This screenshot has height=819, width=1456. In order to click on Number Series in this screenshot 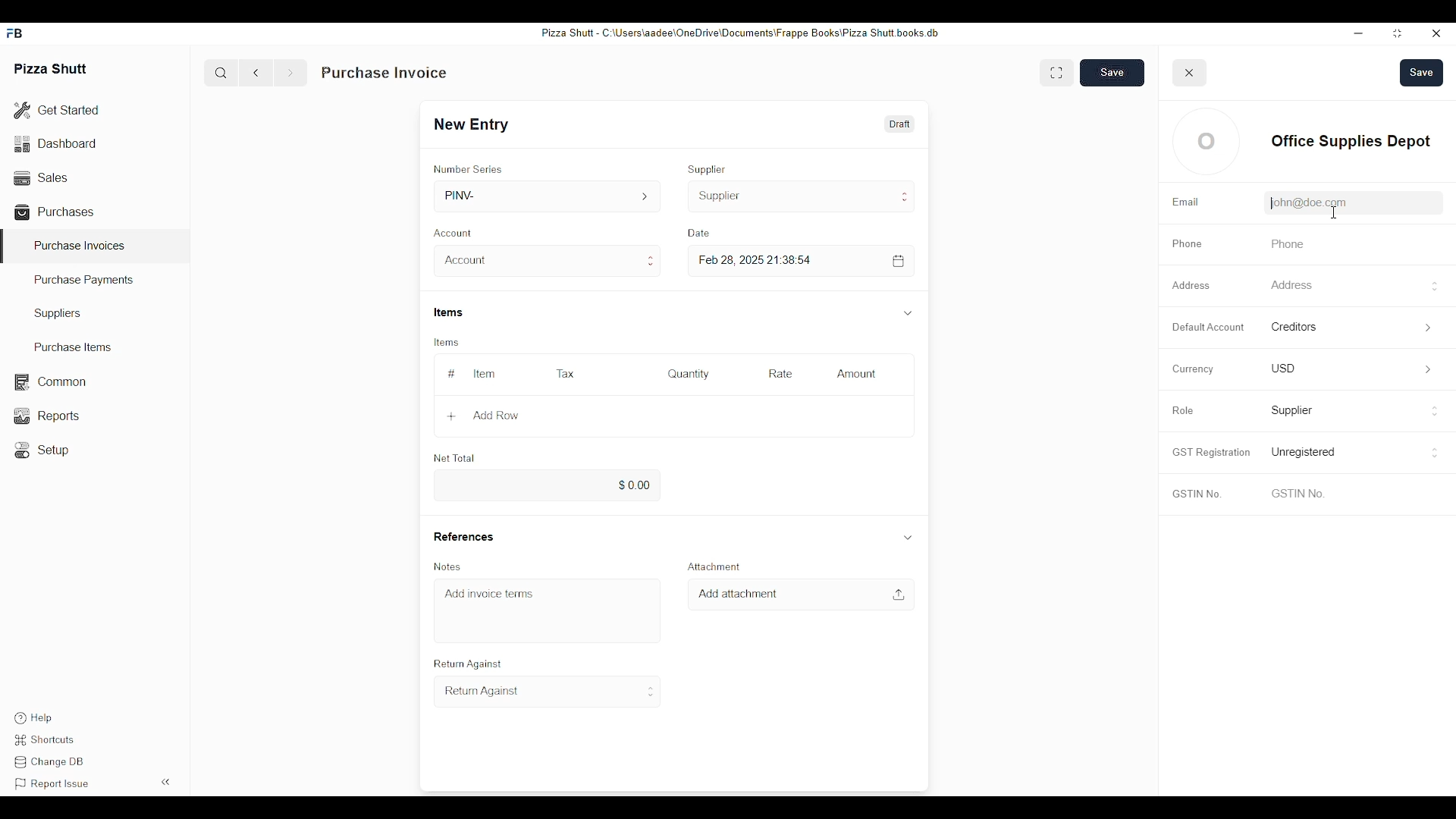, I will do `click(468, 169)`.